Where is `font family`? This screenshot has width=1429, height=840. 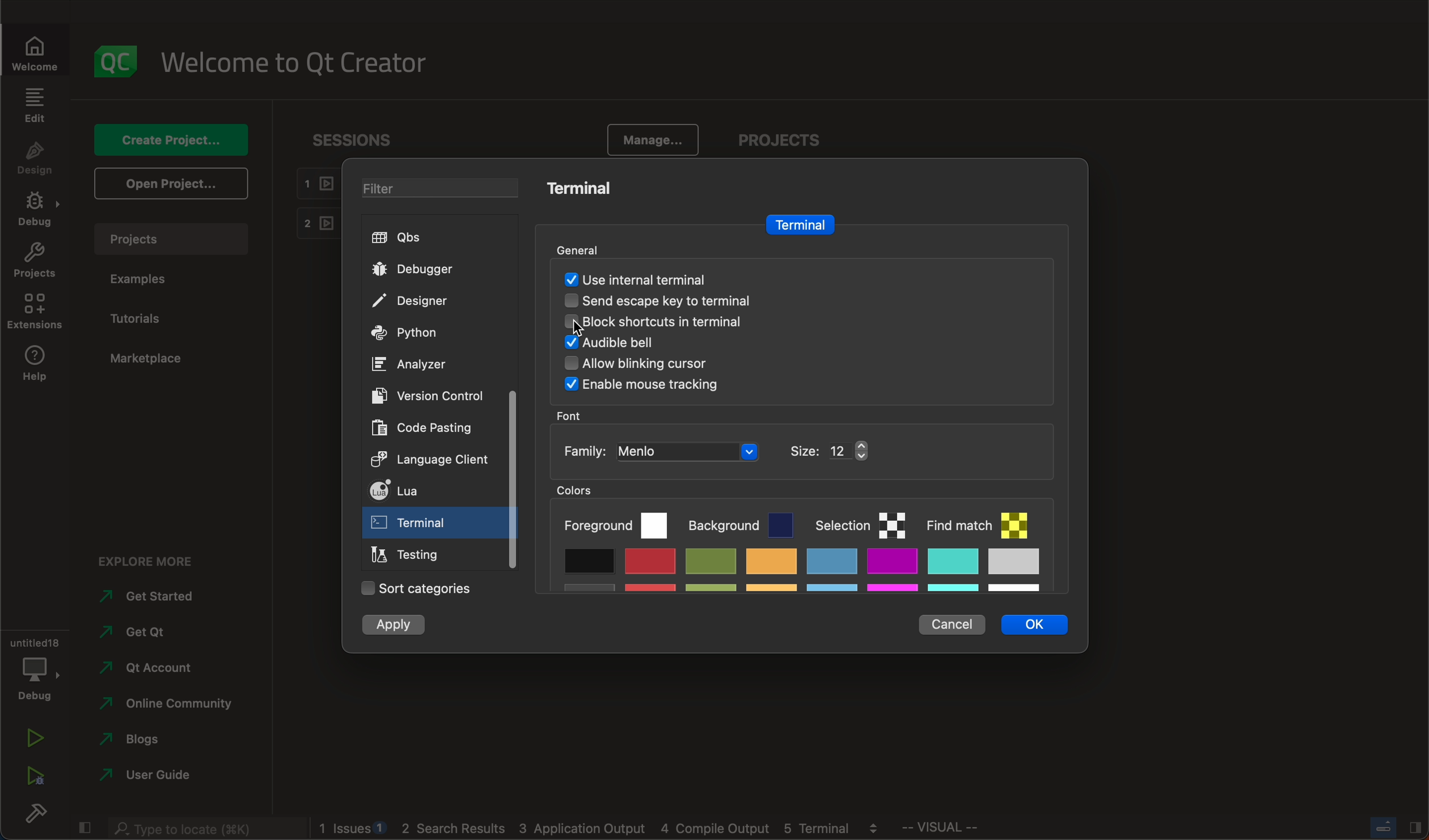 font family is located at coordinates (717, 450).